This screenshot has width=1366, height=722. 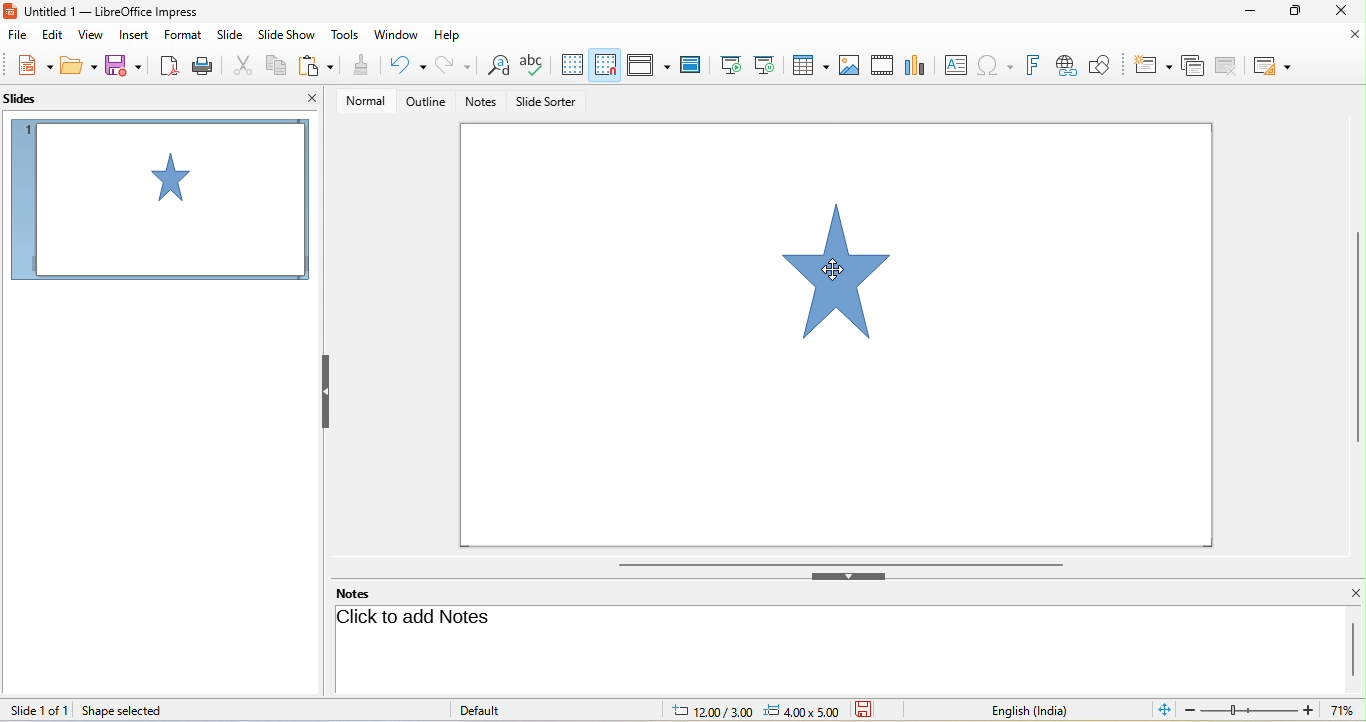 I want to click on slideshow, so click(x=286, y=36).